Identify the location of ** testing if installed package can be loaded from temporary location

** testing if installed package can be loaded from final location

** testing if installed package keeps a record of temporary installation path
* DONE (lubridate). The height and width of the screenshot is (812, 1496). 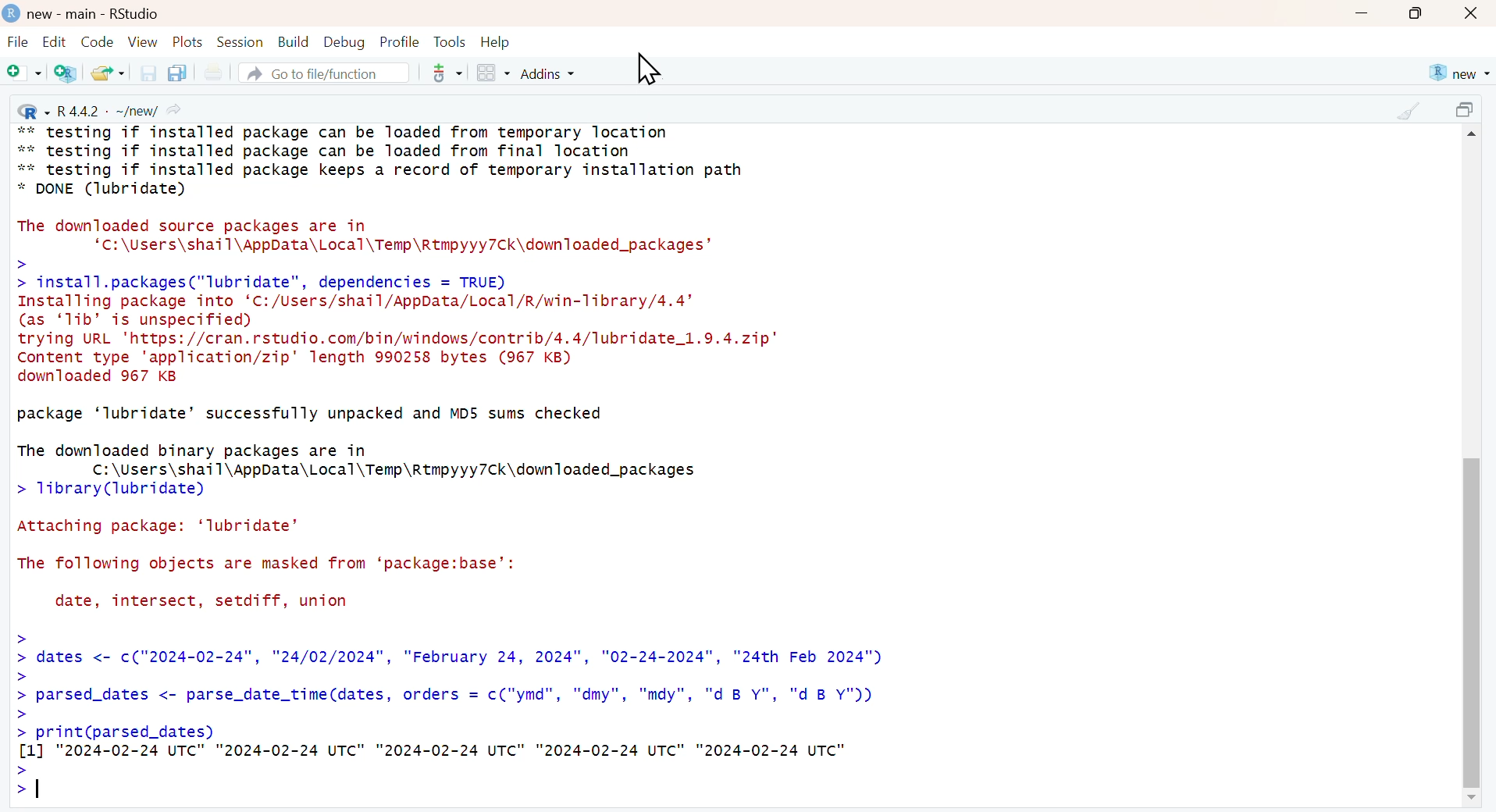
(388, 162).